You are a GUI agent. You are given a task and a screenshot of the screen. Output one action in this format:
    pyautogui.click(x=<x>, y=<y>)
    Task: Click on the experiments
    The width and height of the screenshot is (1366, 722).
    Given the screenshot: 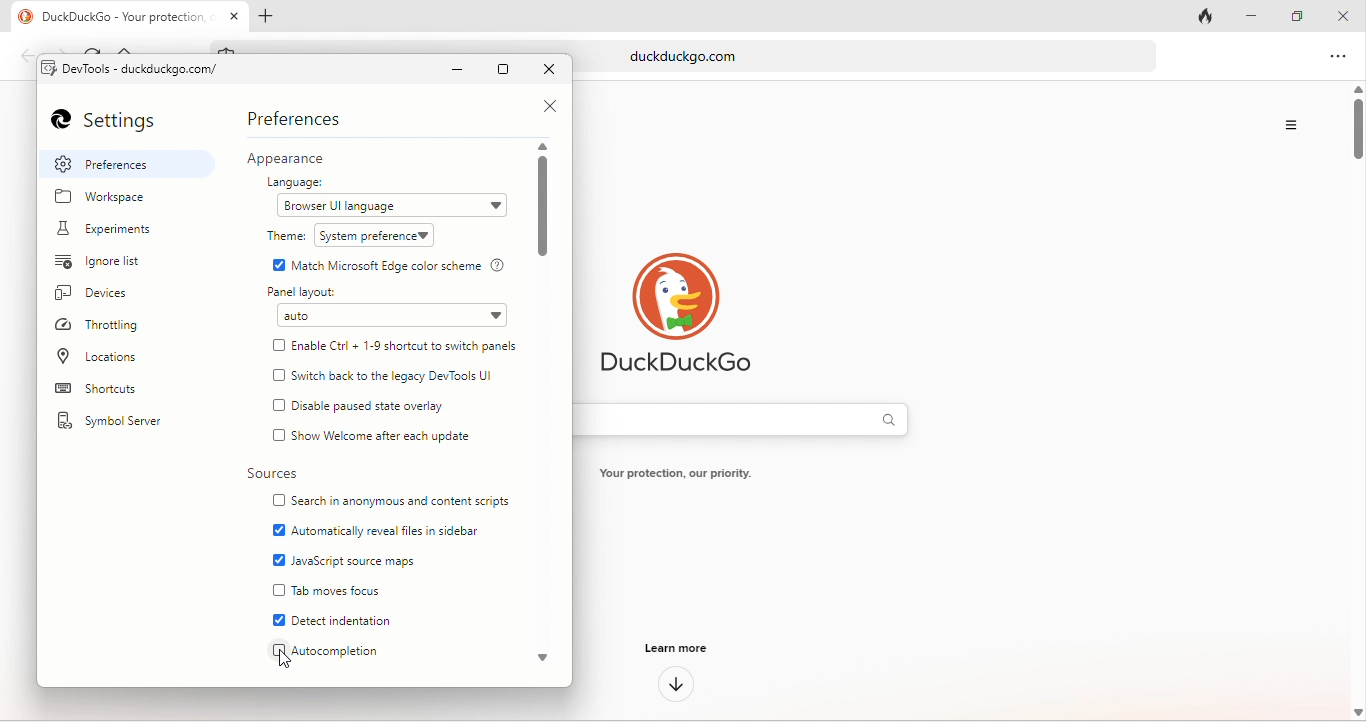 What is the action you would take?
    pyautogui.click(x=117, y=230)
    